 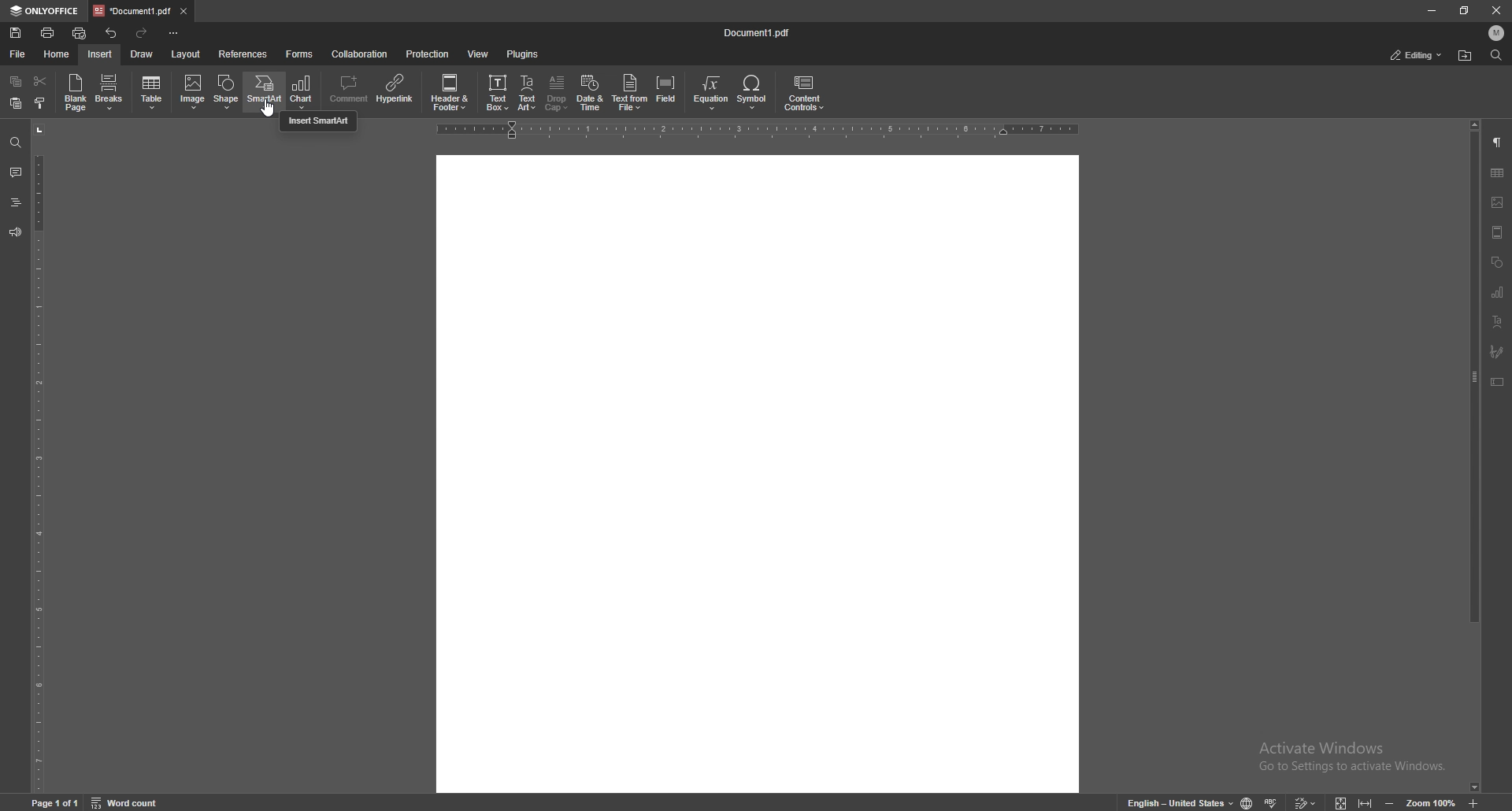 What do you see at coordinates (43, 12) in the screenshot?
I see `onlyoffice` at bounding box center [43, 12].